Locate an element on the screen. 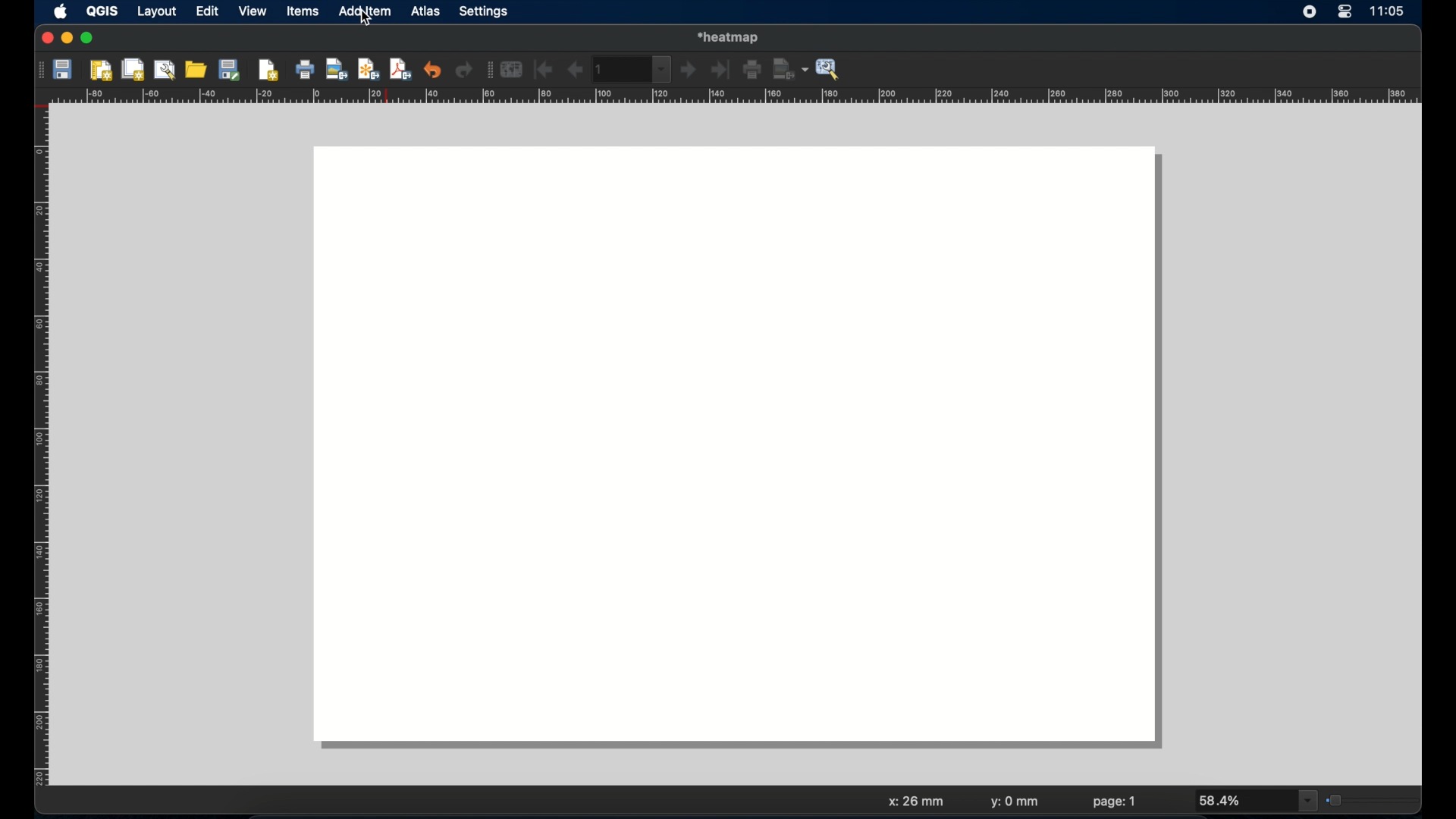 Image resolution: width=1456 pixels, height=819 pixels. y: 0mm is located at coordinates (1015, 803).